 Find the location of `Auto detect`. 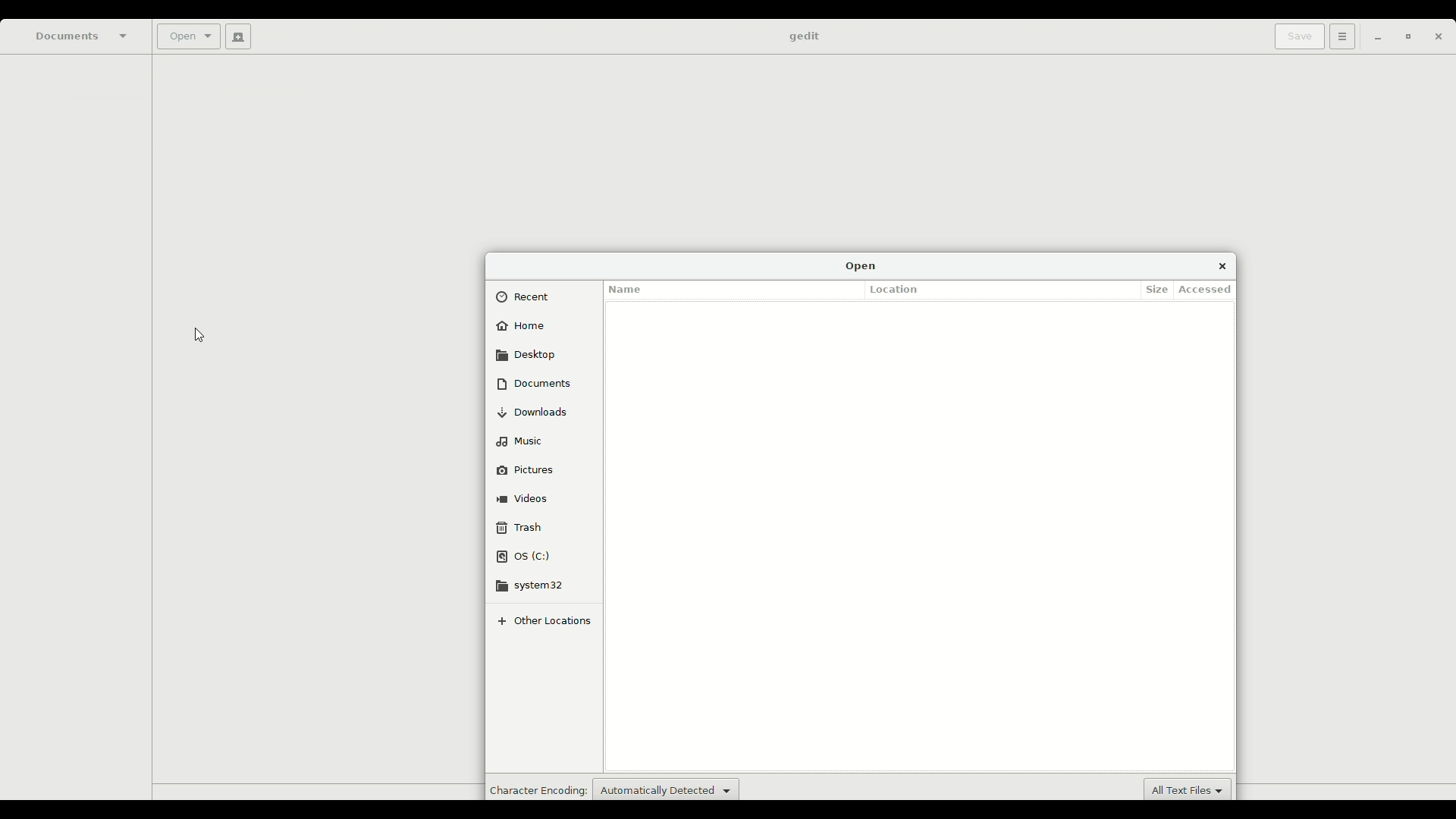

Auto detect is located at coordinates (666, 788).